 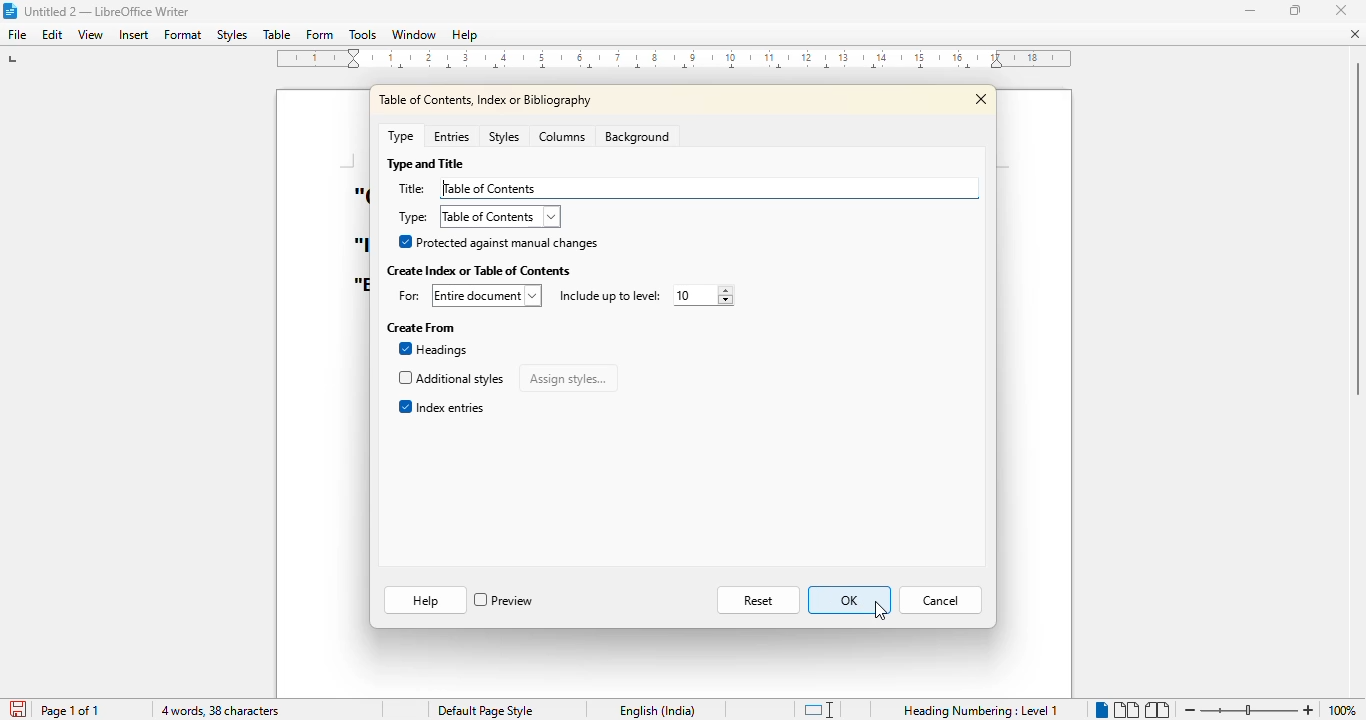 I want to click on table of contents, so click(x=709, y=188).